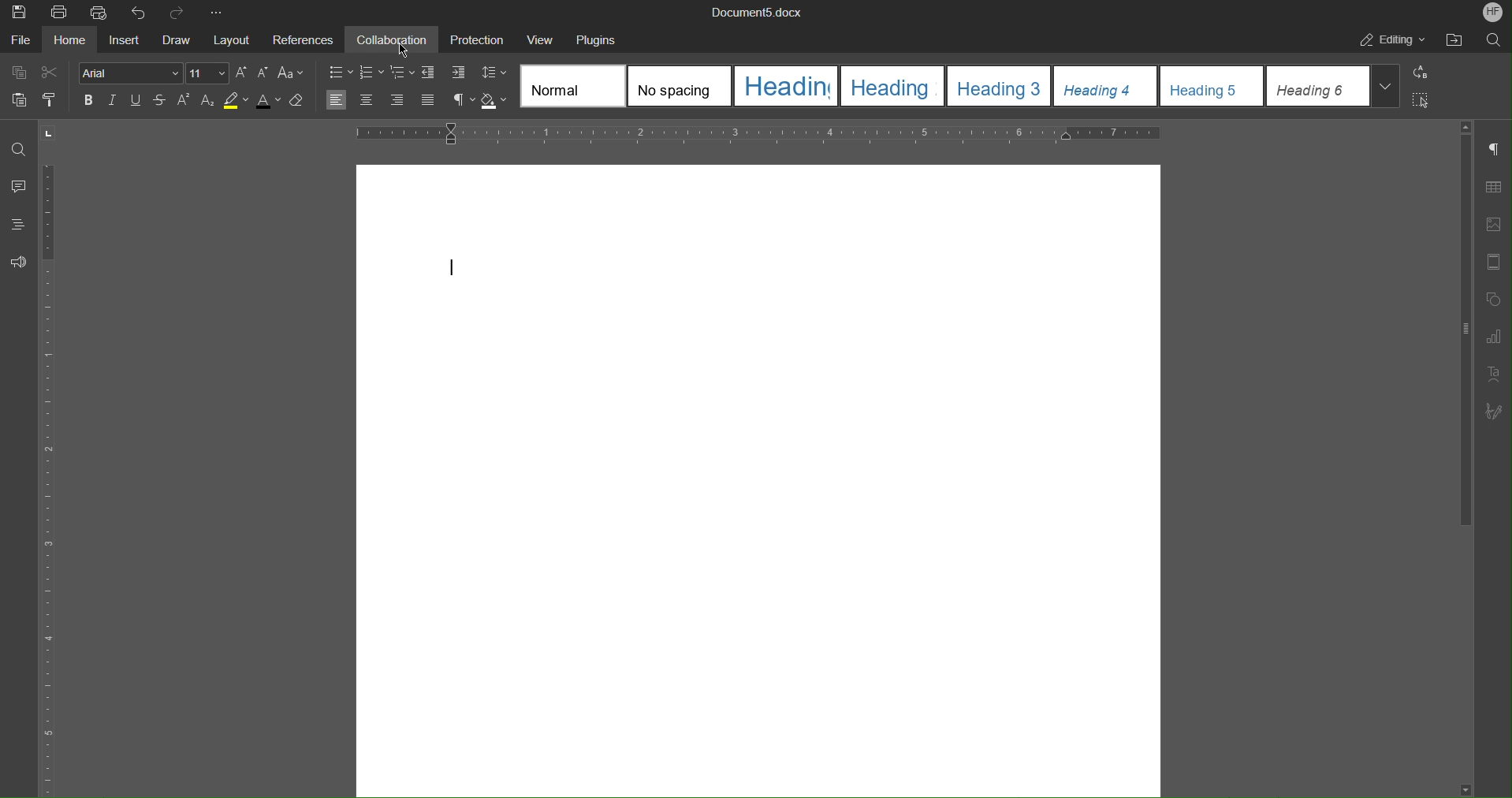 The image size is (1512, 798). What do you see at coordinates (1492, 413) in the screenshot?
I see `Signature` at bounding box center [1492, 413].